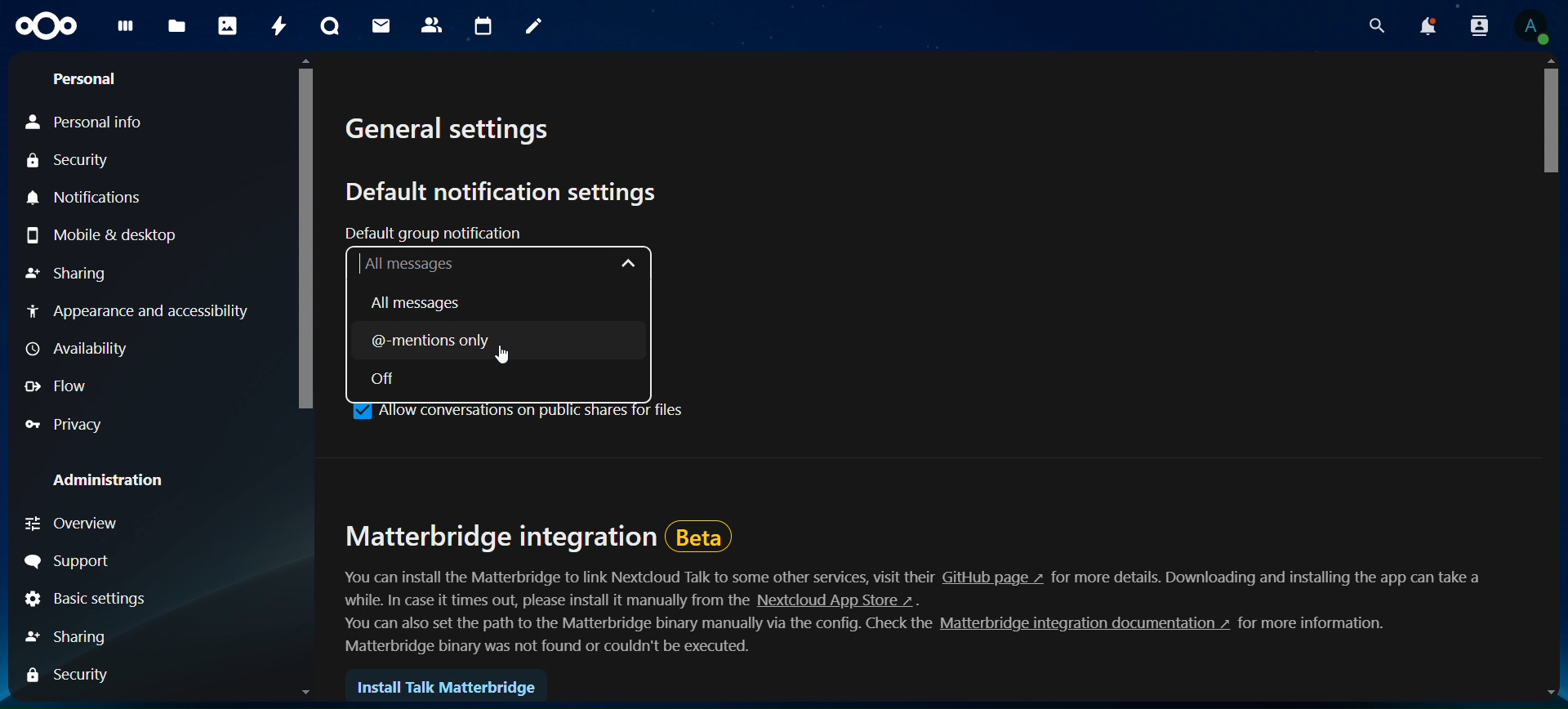 This screenshot has height=709, width=1568. I want to click on mail, so click(385, 27).